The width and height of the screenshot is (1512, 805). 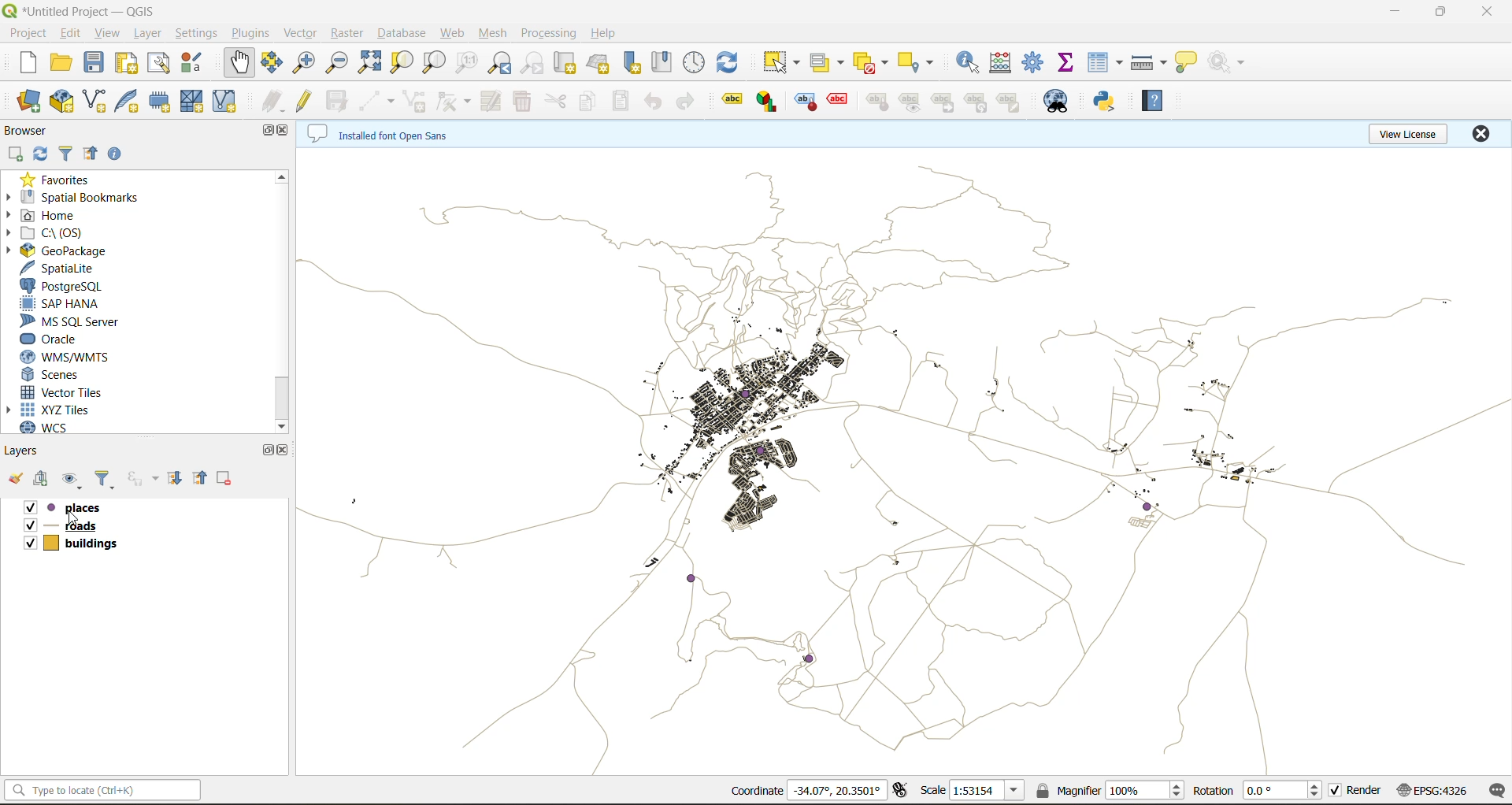 I want to click on filter by expression, so click(x=142, y=479).